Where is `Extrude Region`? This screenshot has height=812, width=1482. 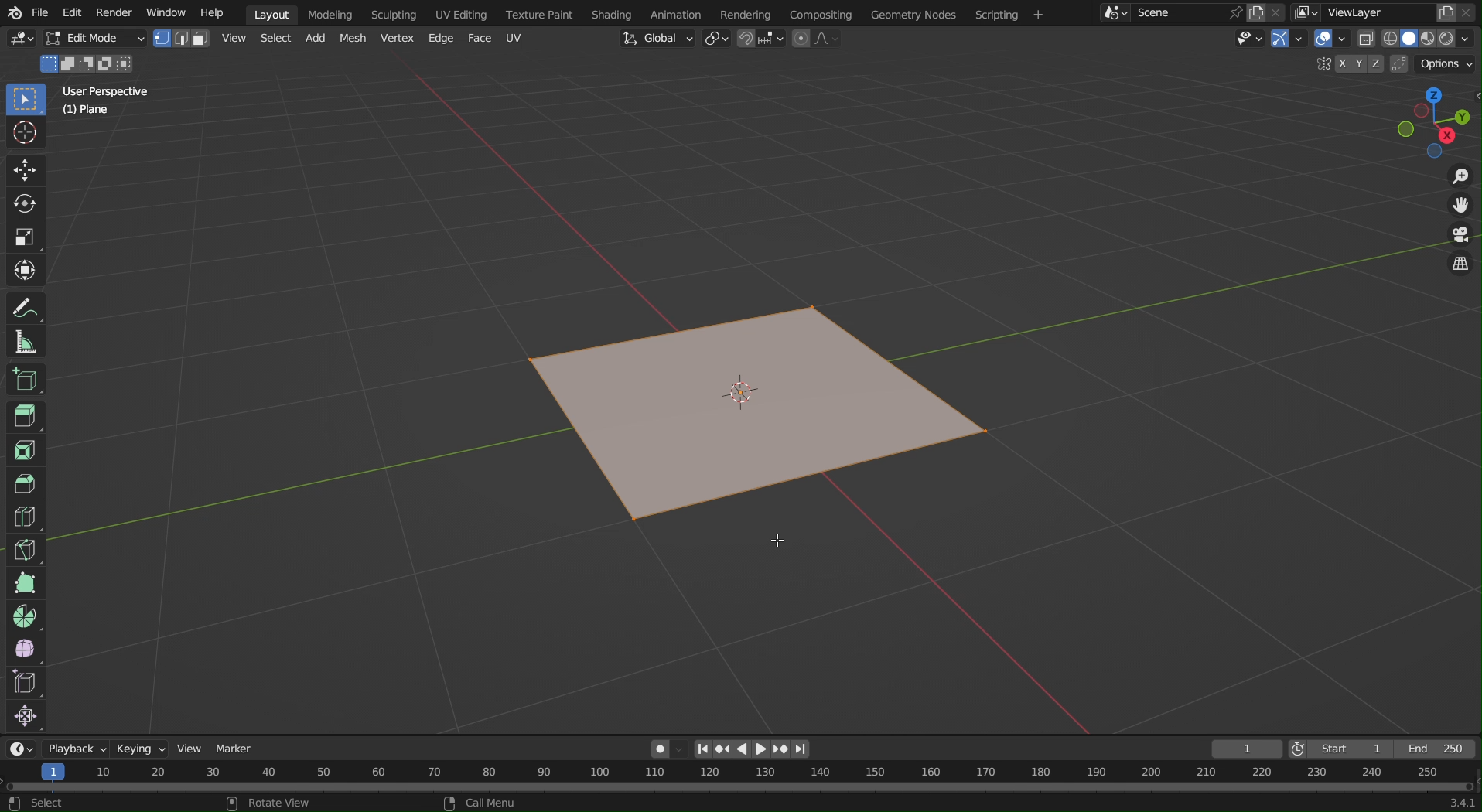
Extrude Region is located at coordinates (27, 418).